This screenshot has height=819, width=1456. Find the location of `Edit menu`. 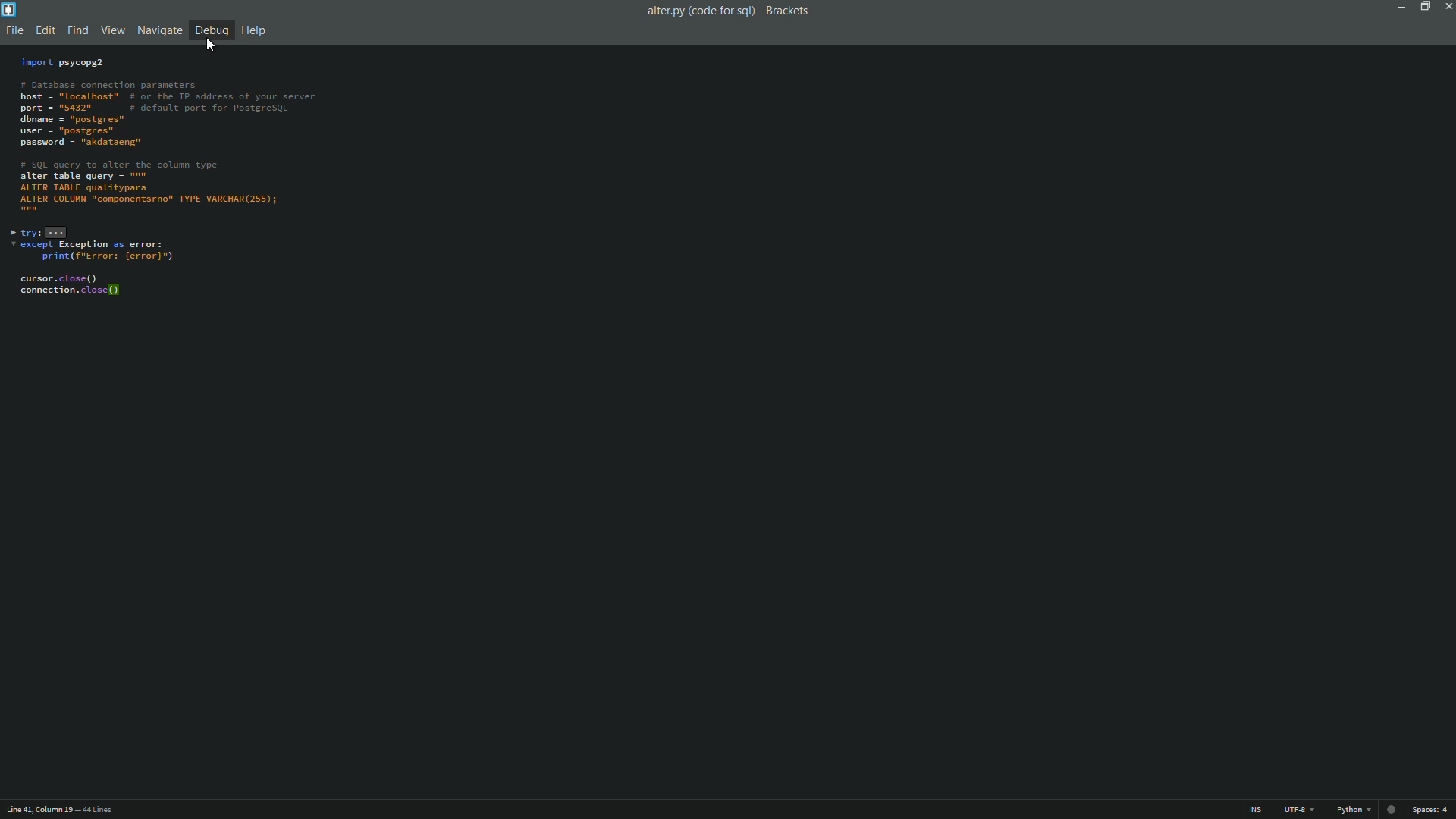

Edit menu is located at coordinates (44, 32).